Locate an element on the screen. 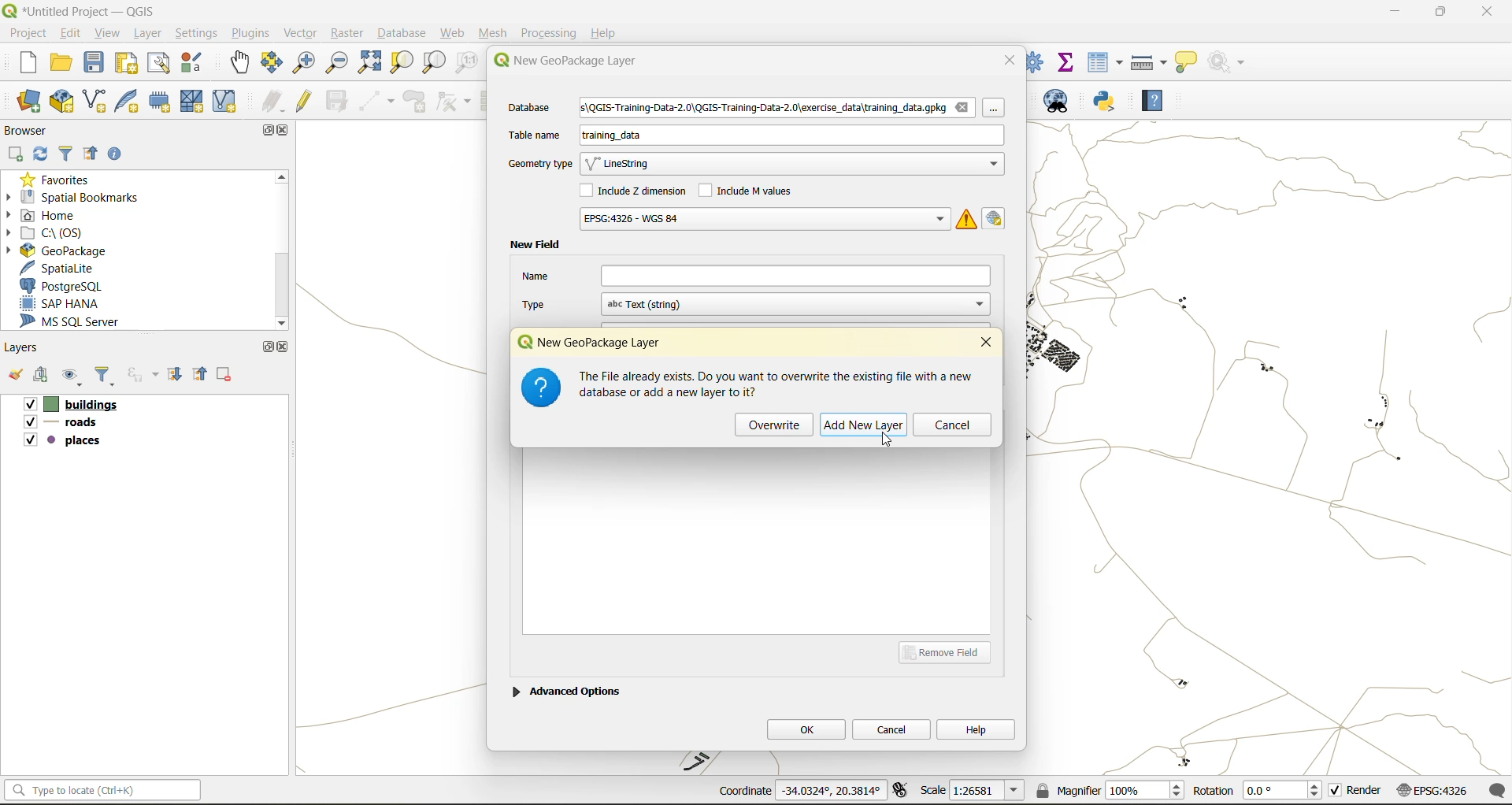 The width and height of the screenshot is (1512, 805). collapse all is located at coordinates (202, 373).